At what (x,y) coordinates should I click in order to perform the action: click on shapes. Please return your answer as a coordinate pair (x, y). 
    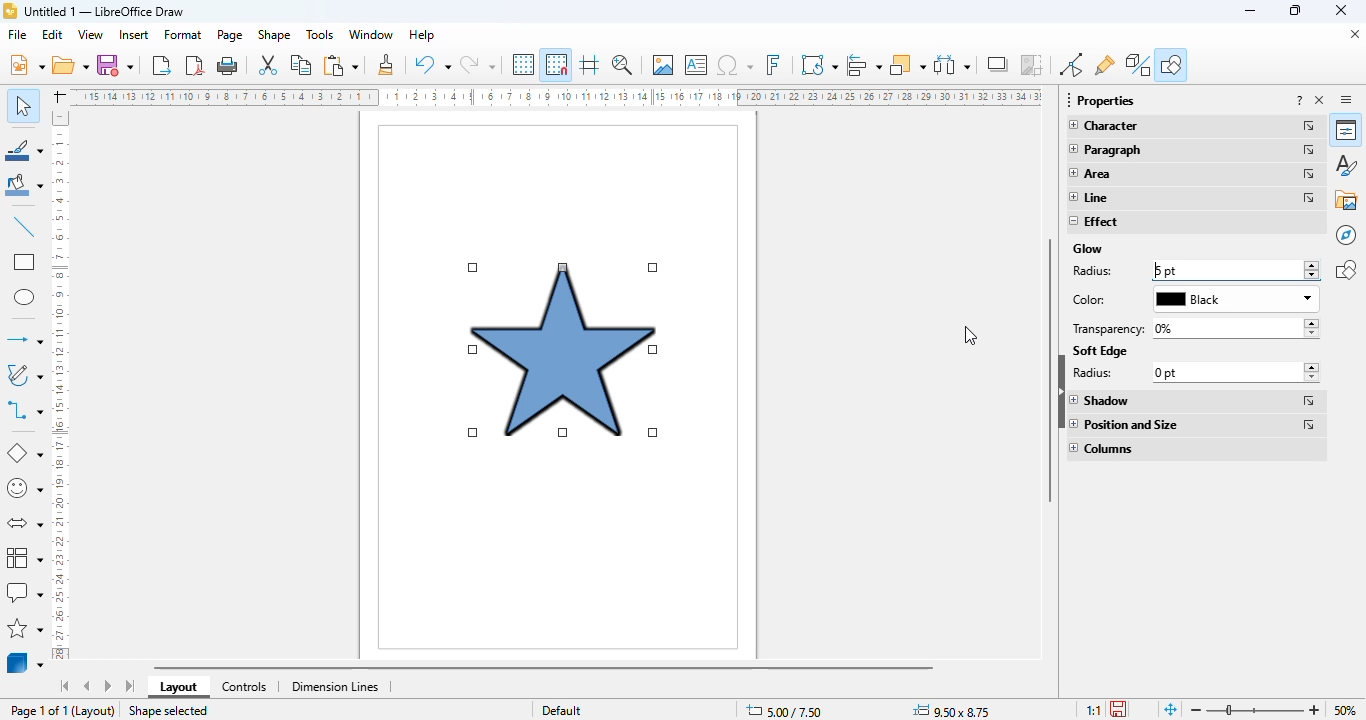
    Looking at the image, I should click on (1346, 269).